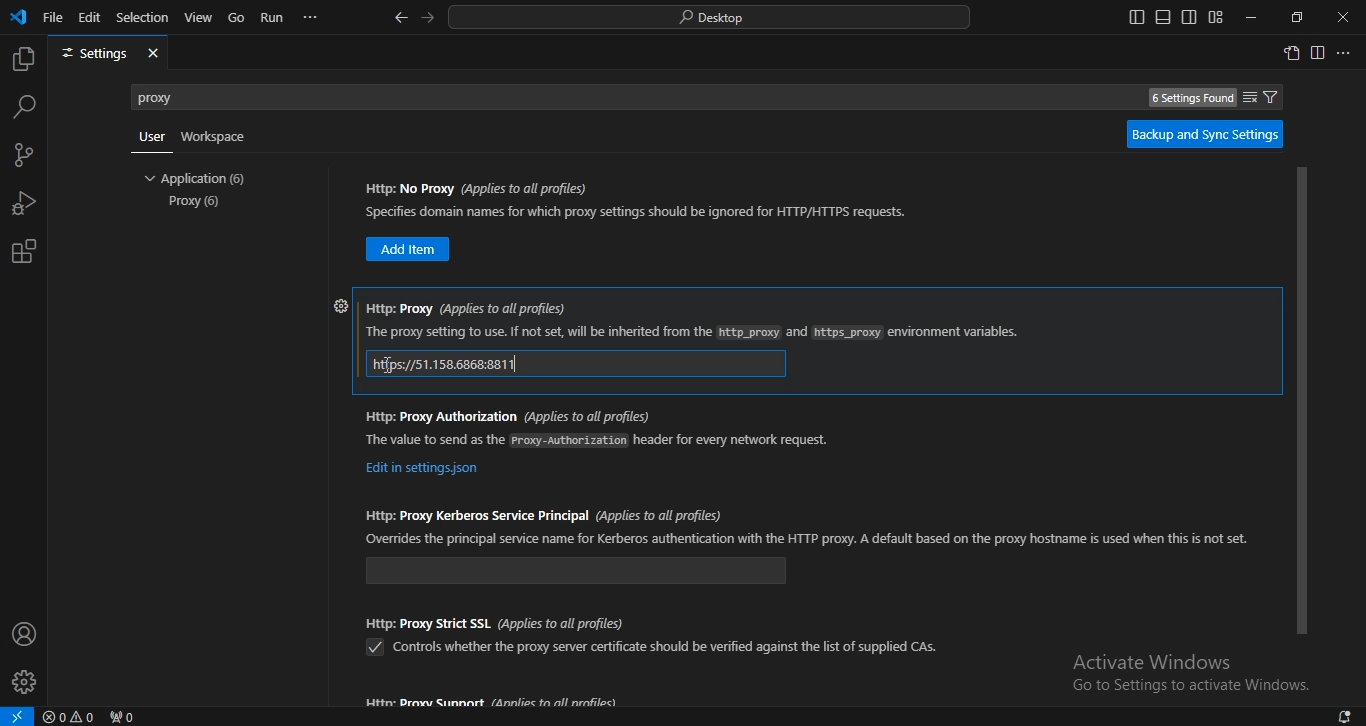  I want to click on https: proxy kerberos service principal, so click(808, 539).